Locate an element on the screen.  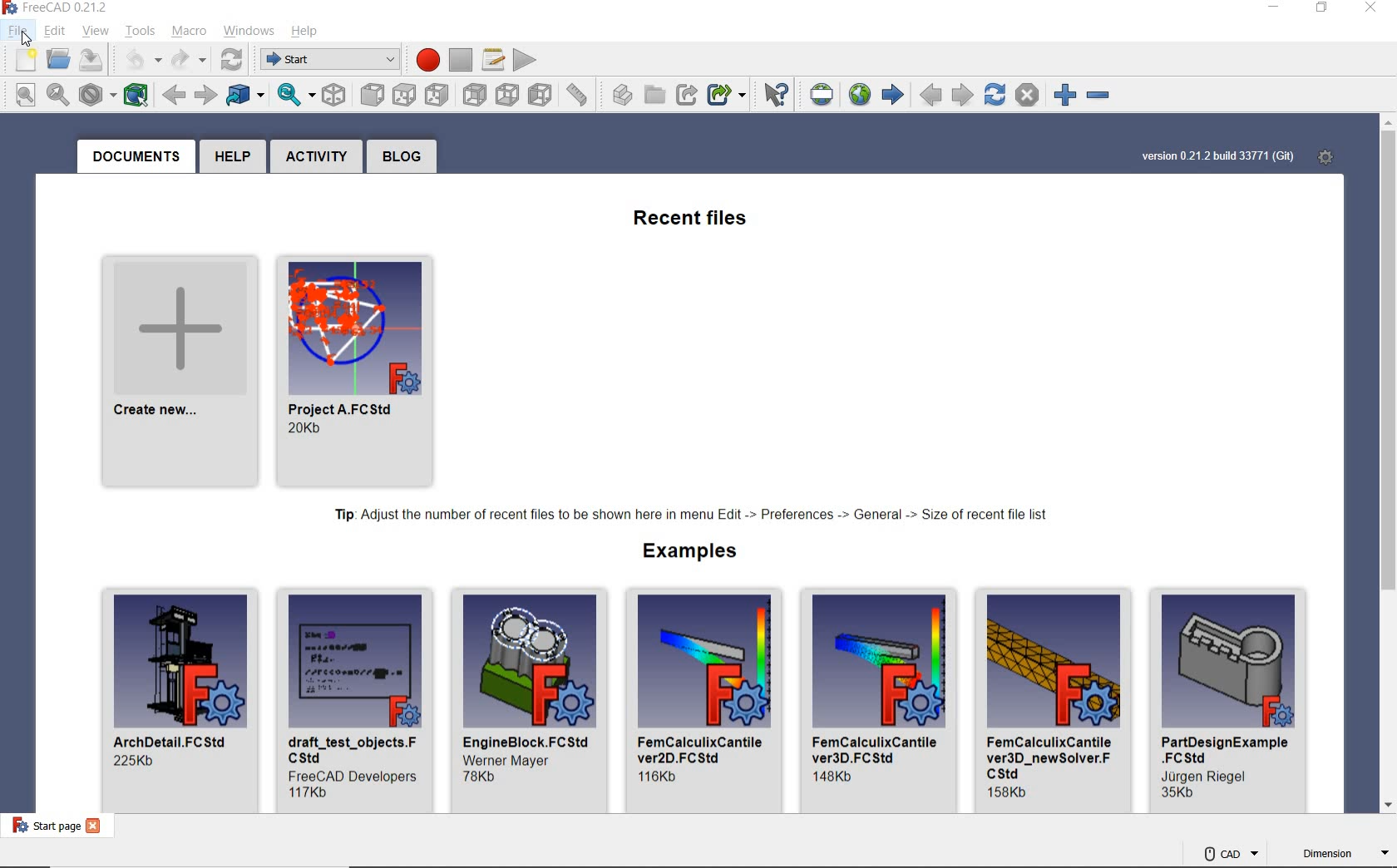
FORWARD is located at coordinates (204, 94).